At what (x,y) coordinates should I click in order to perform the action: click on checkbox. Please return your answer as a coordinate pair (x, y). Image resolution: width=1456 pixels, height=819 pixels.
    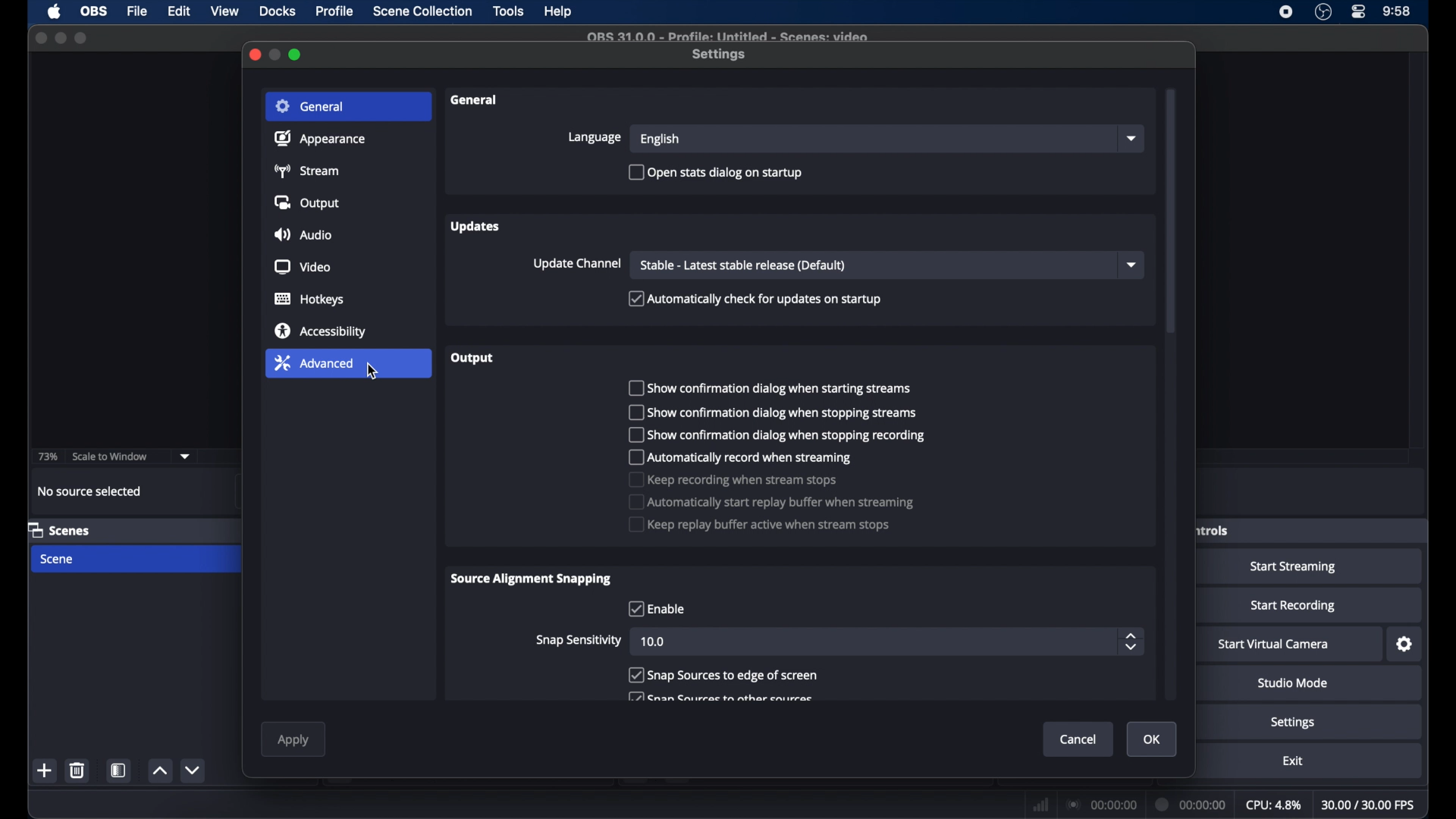
    Looking at the image, I should click on (656, 609).